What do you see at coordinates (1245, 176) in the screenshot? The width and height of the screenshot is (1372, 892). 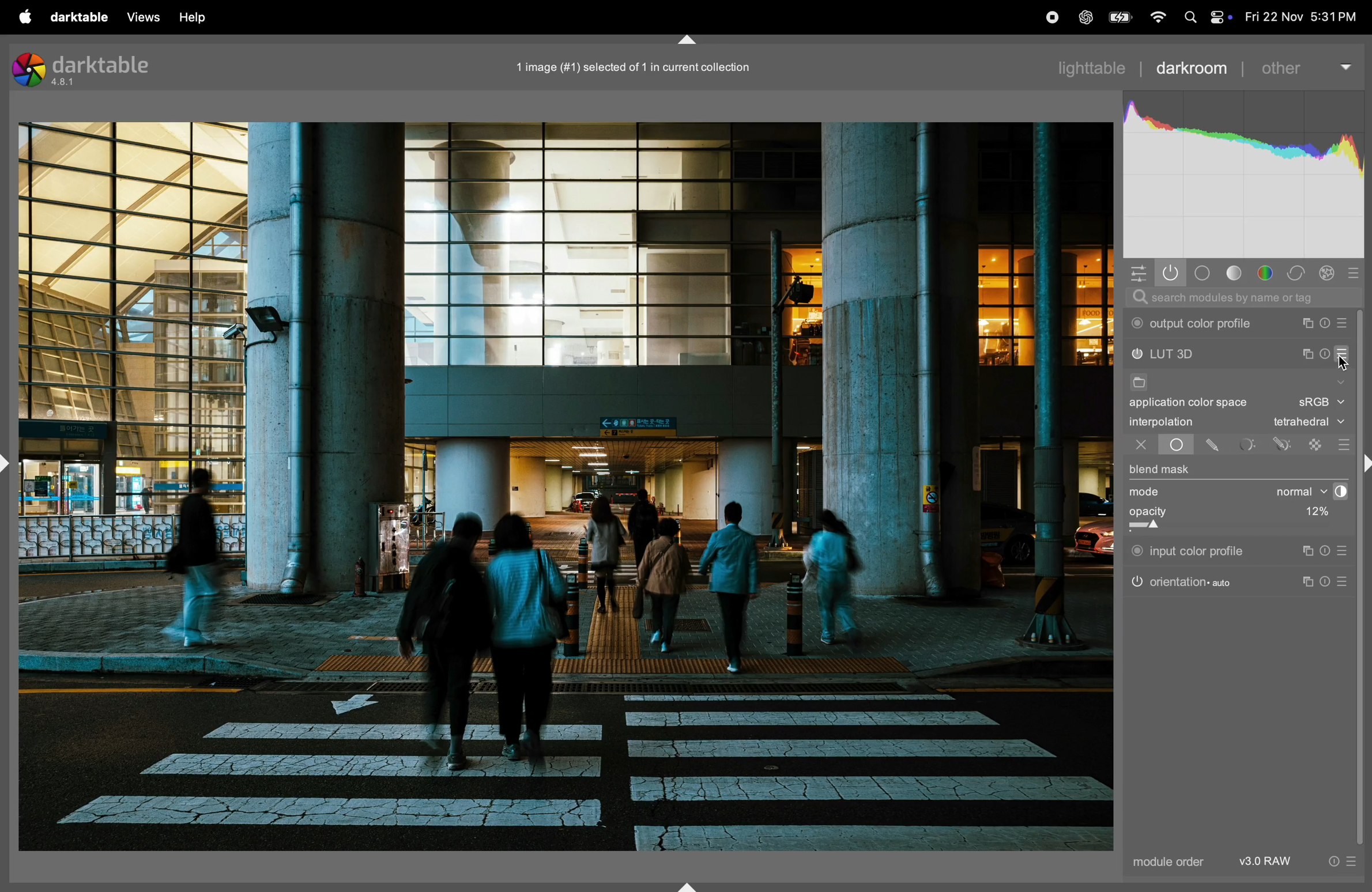 I see `histogram` at bounding box center [1245, 176].